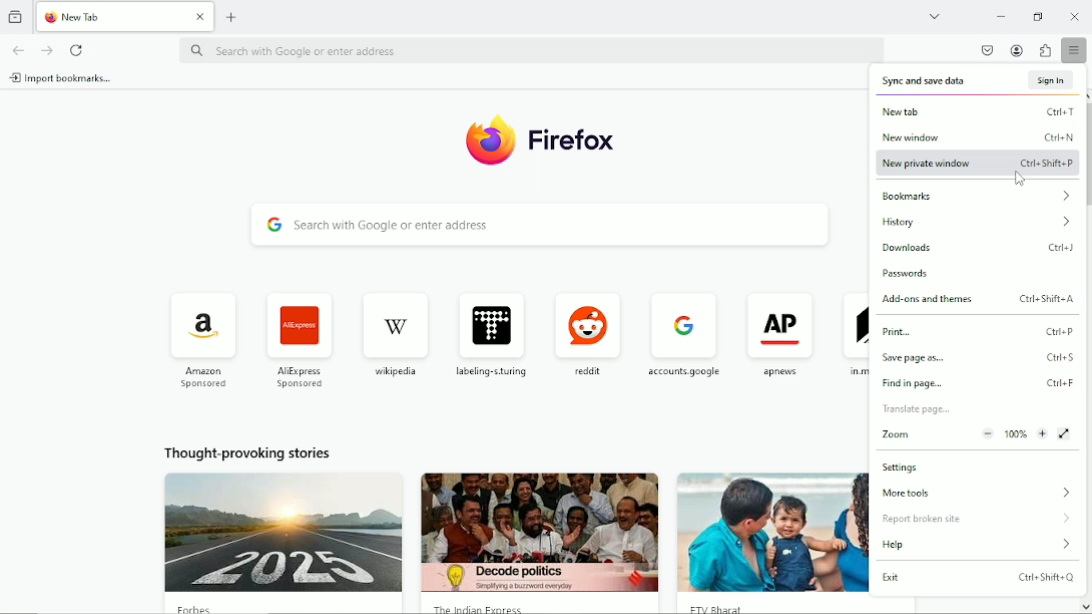 Image resolution: width=1092 pixels, height=614 pixels. Describe the element at coordinates (934, 16) in the screenshot. I see `list all tabs` at that location.